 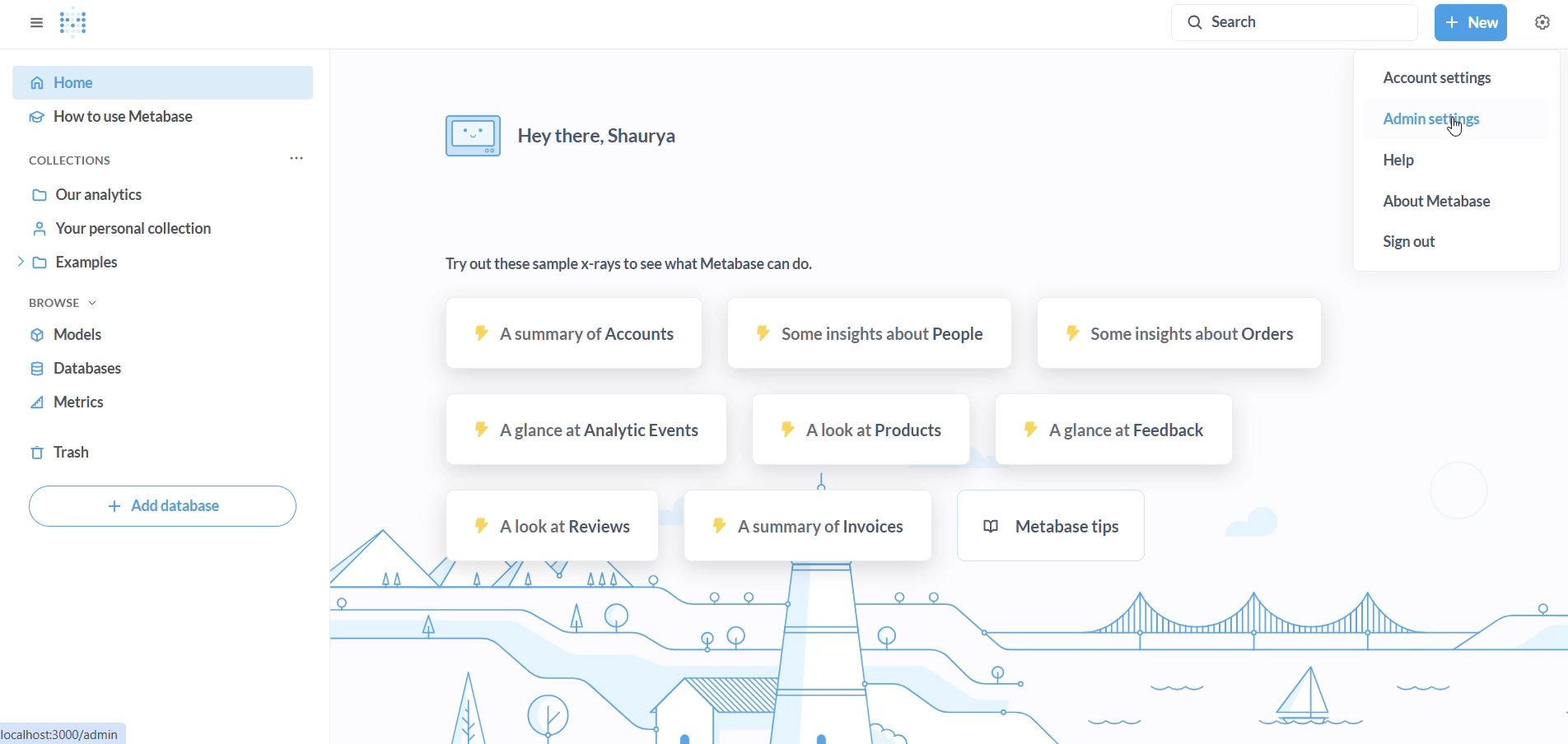 I want to click on > [O Examples, so click(x=65, y=261).